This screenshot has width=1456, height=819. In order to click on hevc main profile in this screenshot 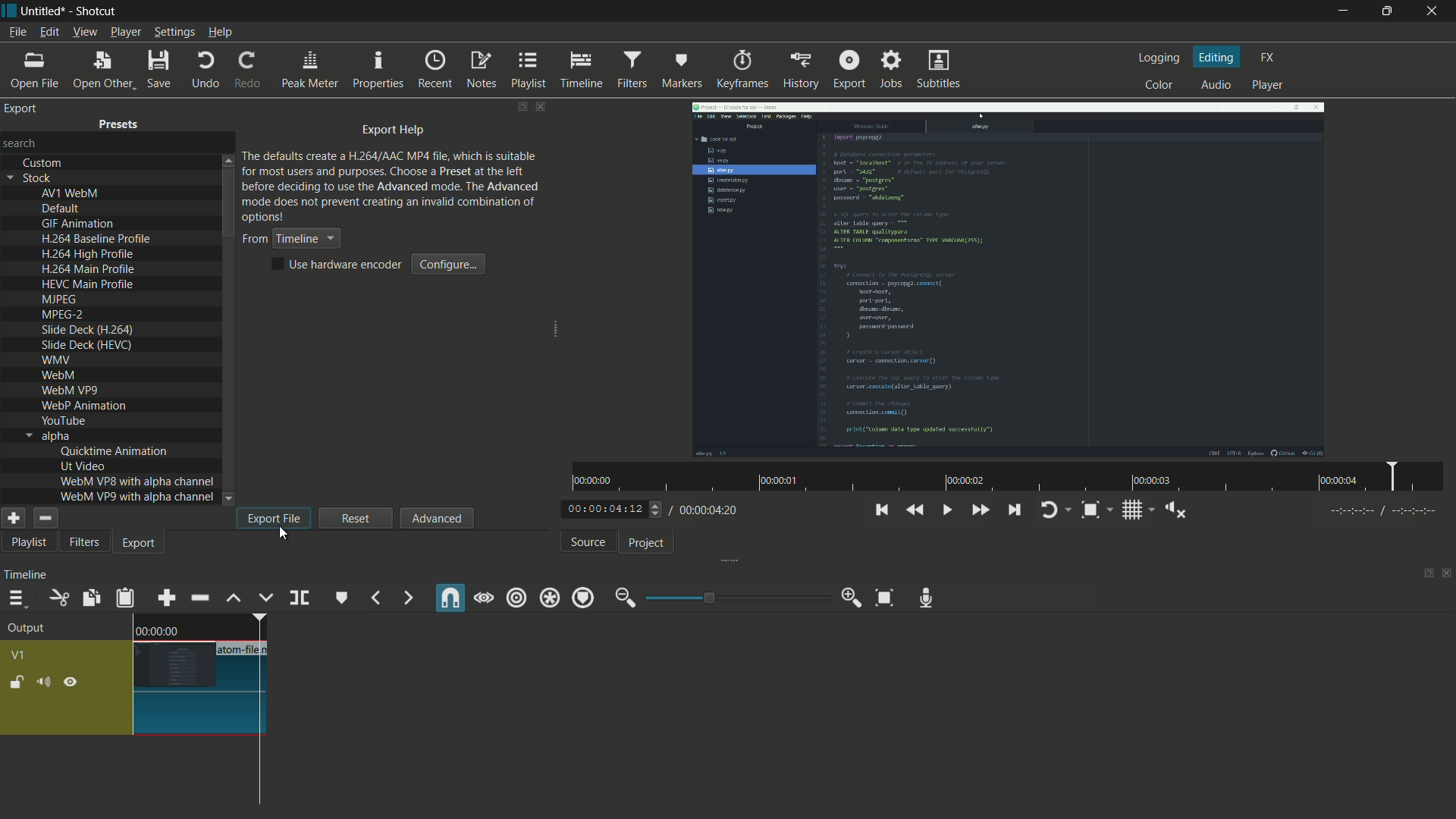, I will do `click(89, 286)`.